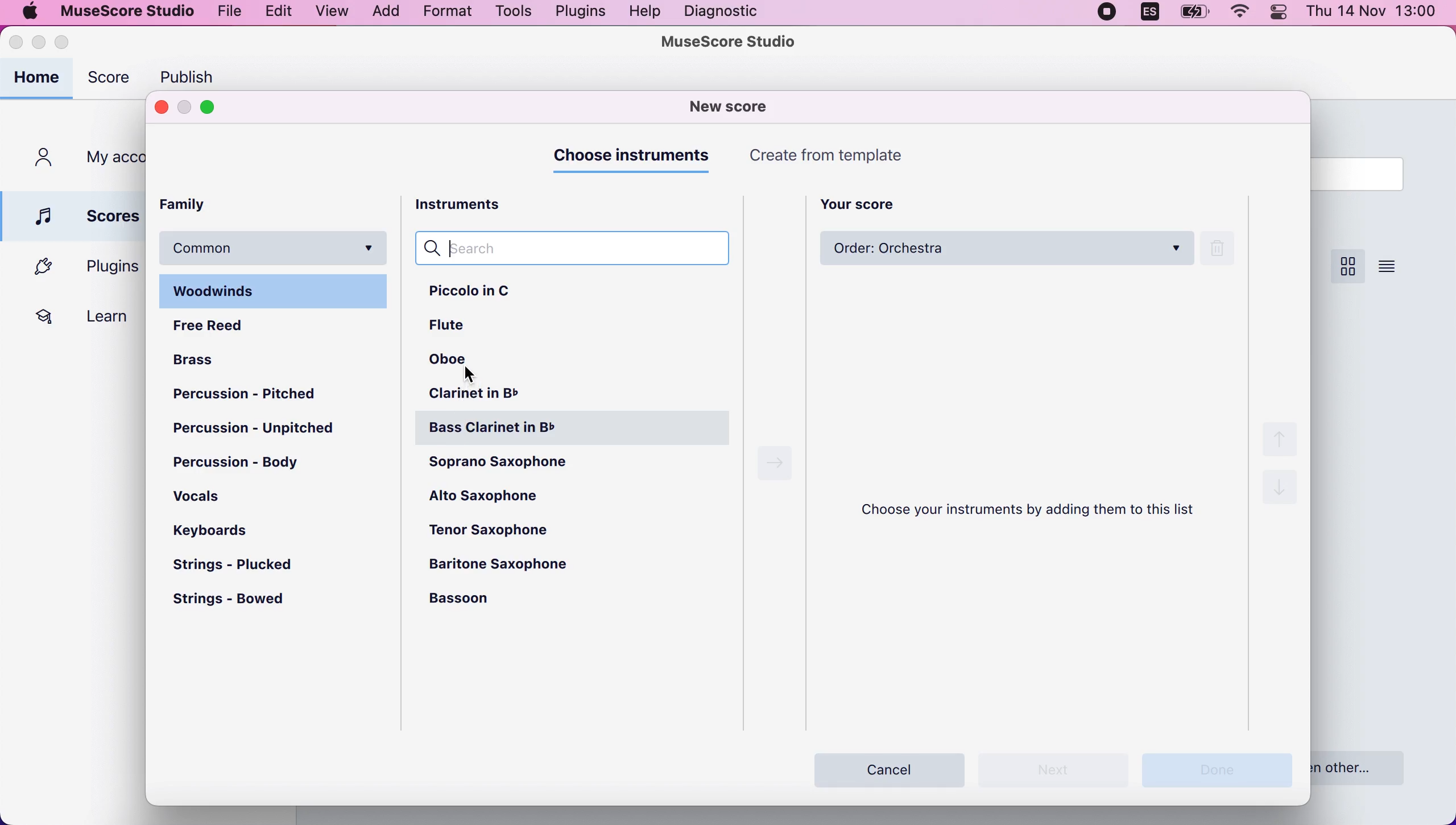  I want to click on scores, so click(76, 214).